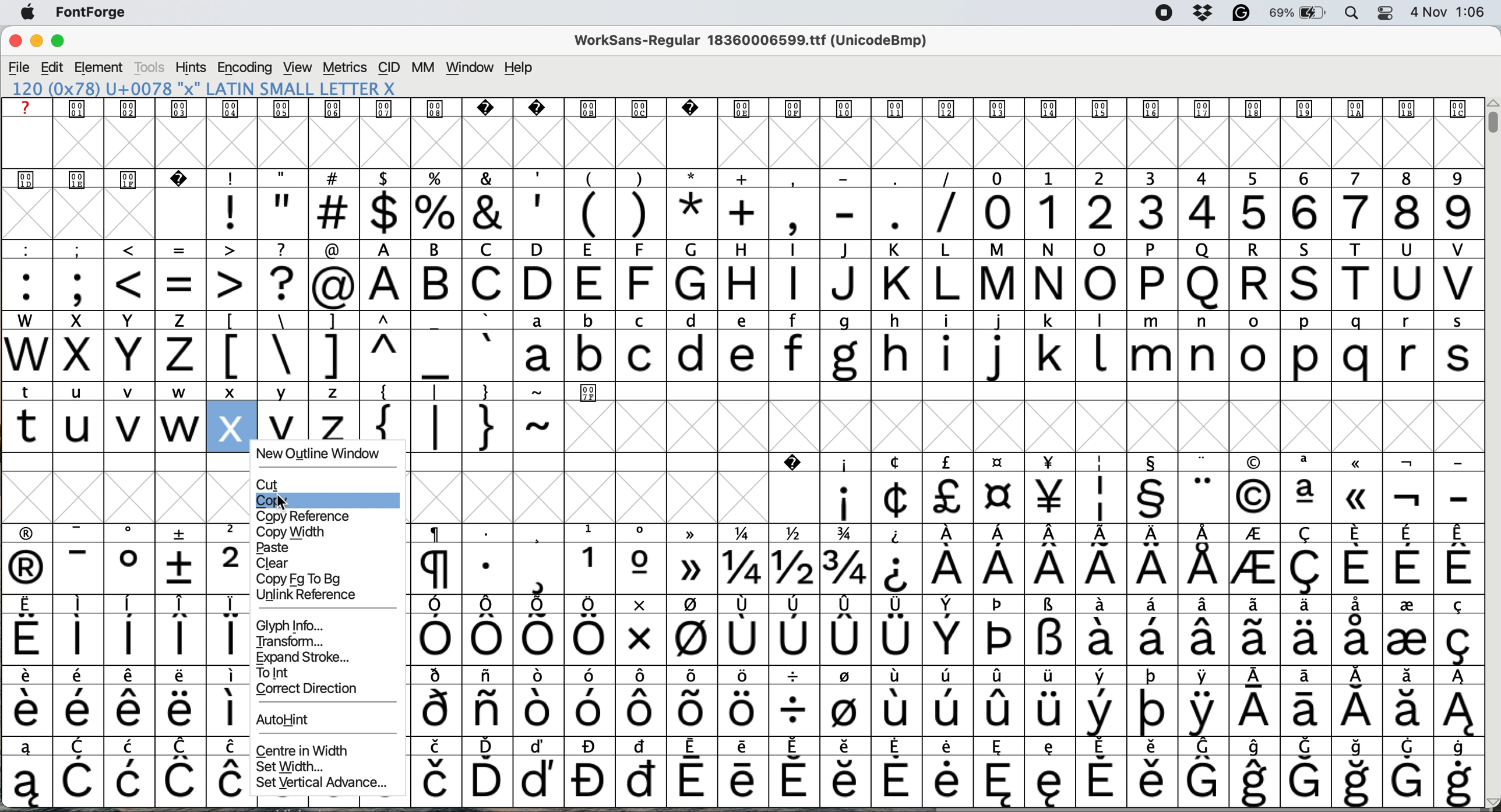  I want to click on special characters, so click(355, 355).